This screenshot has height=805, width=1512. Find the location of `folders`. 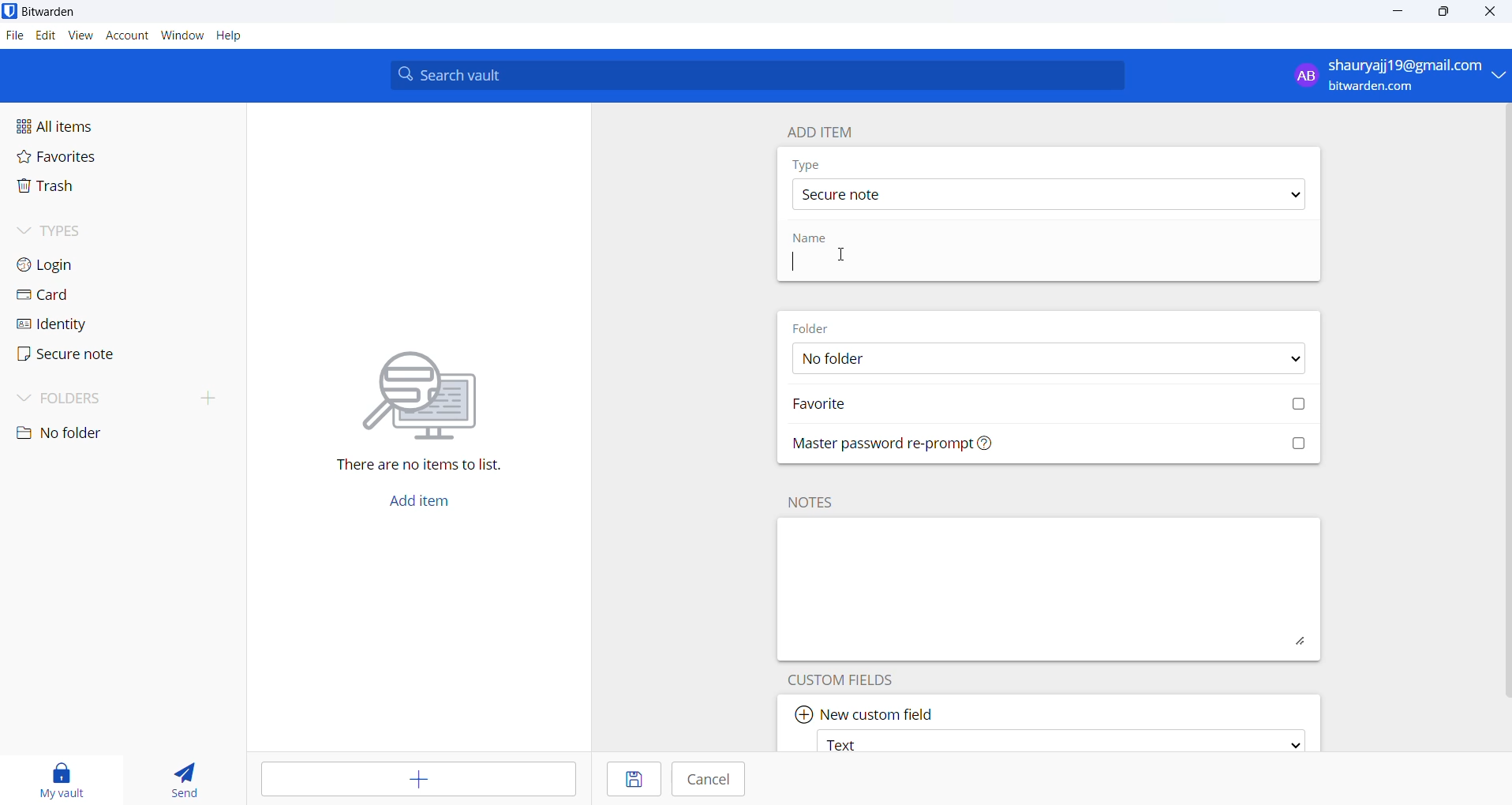

folders is located at coordinates (123, 401).